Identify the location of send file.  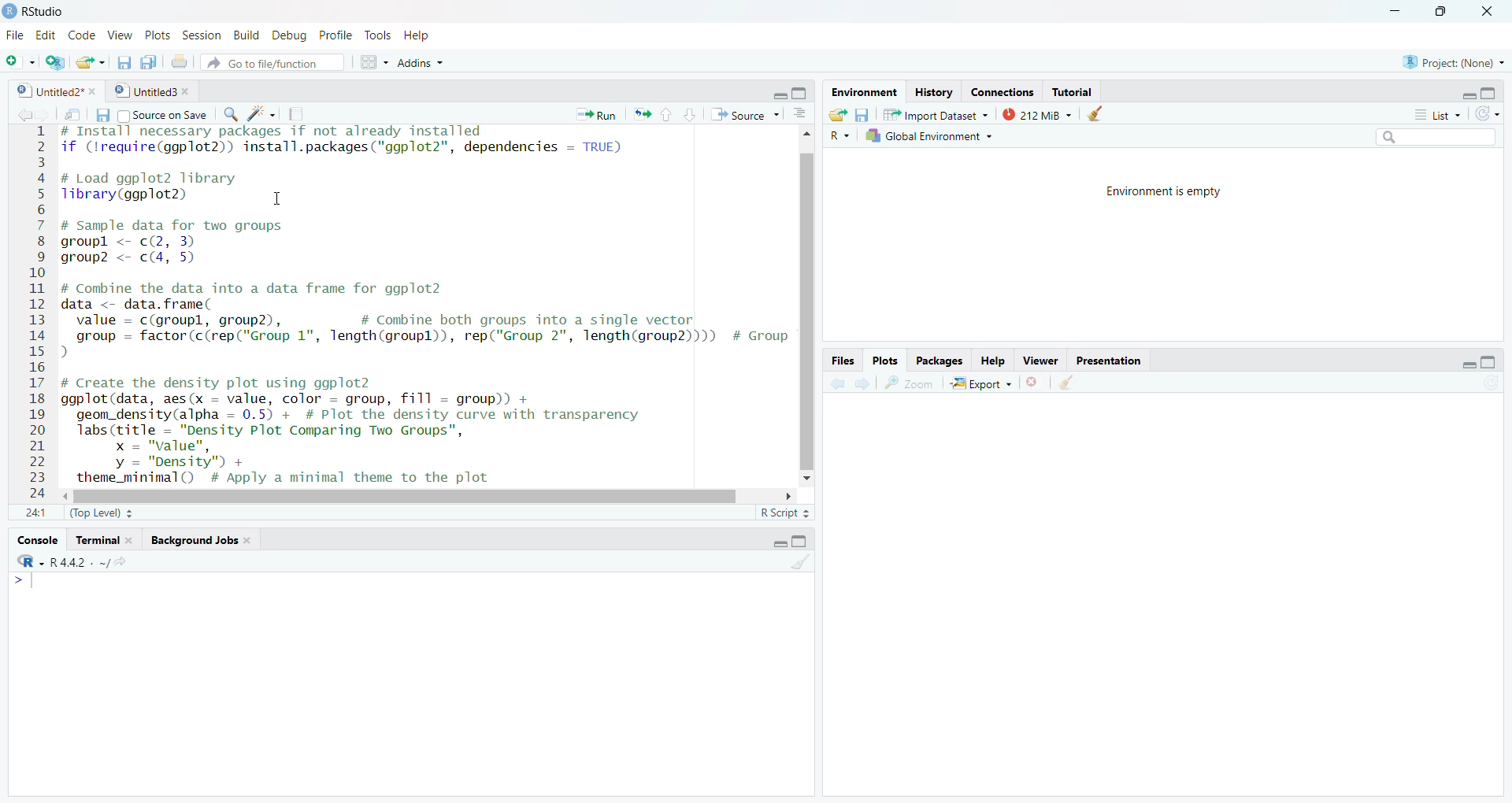
(72, 114).